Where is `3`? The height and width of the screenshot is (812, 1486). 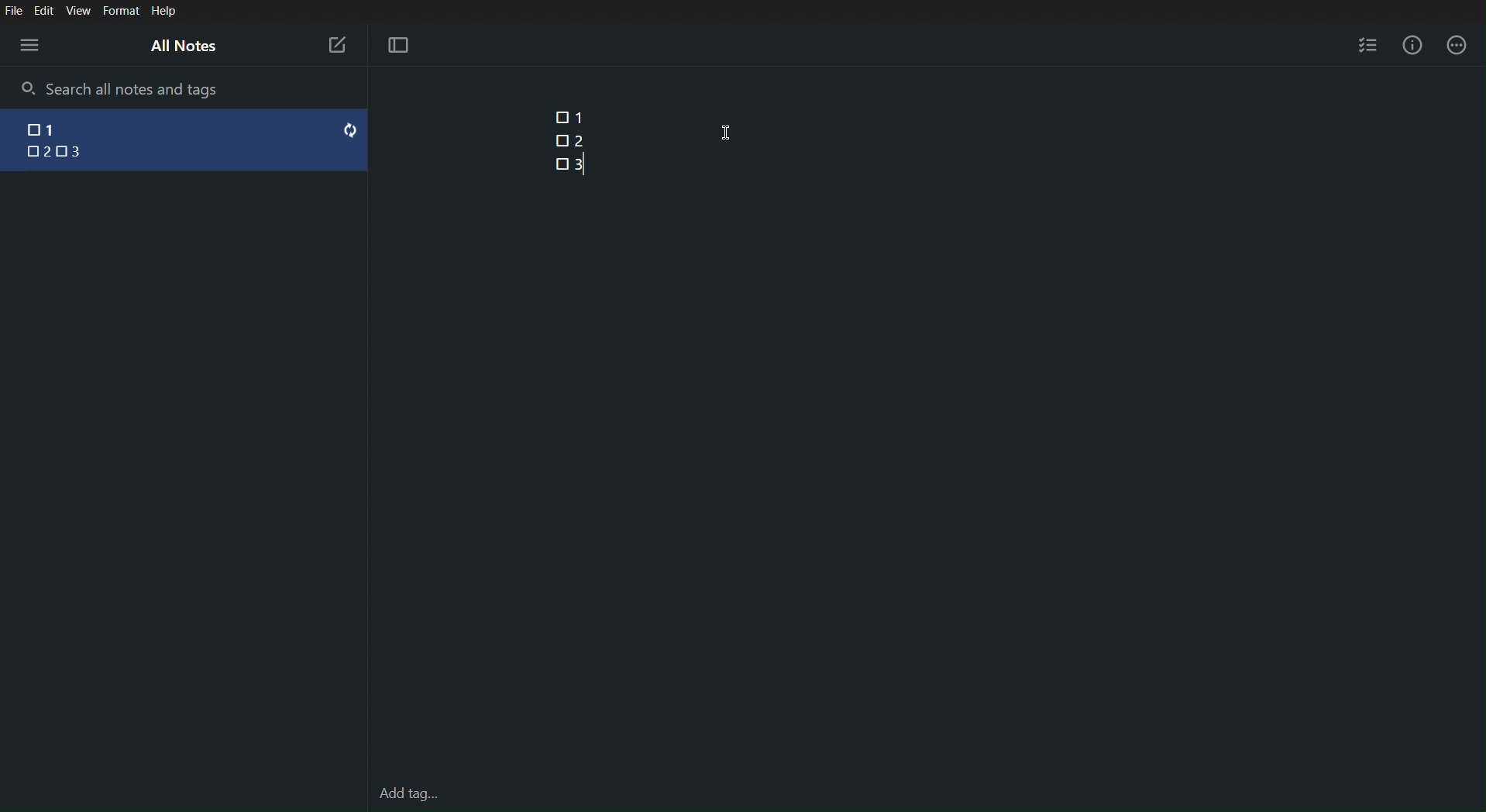
3 is located at coordinates (578, 163).